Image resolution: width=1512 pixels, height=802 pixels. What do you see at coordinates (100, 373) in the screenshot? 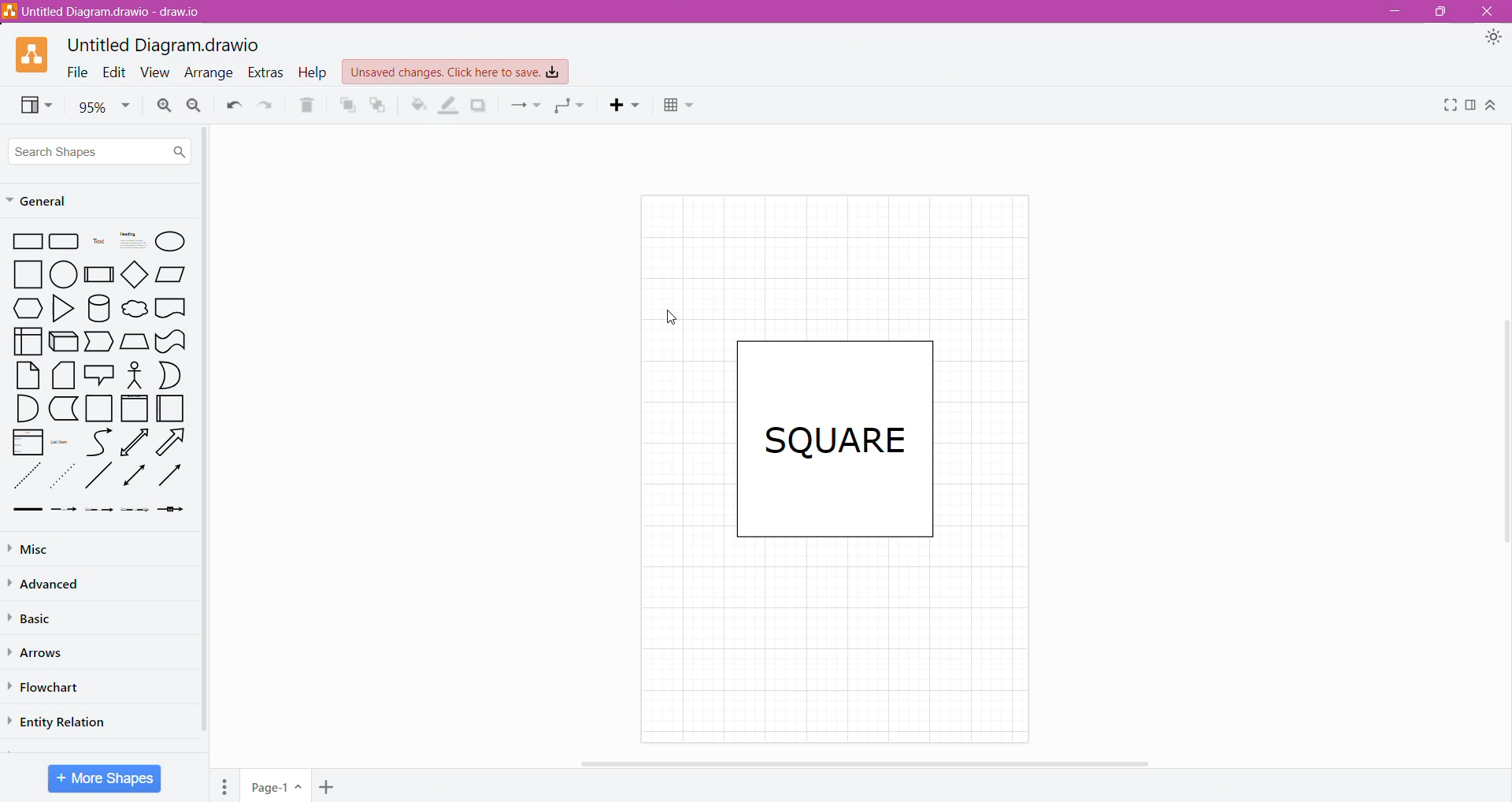
I see `Speech Bubble` at bounding box center [100, 373].